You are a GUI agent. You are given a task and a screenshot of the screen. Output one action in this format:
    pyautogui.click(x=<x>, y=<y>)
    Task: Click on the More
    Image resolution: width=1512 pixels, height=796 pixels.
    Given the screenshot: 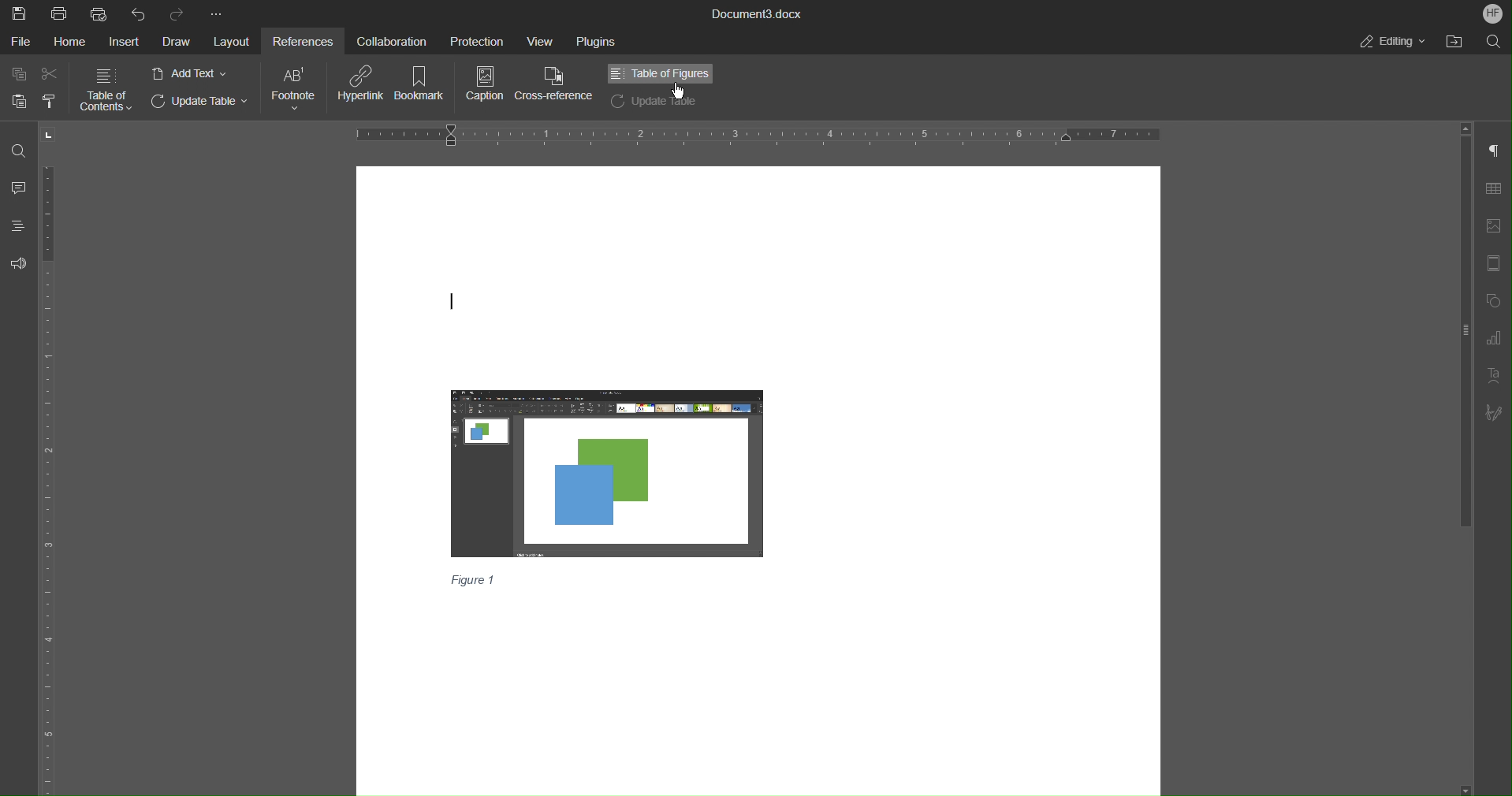 What is the action you would take?
    pyautogui.click(x=217, y=11)
    